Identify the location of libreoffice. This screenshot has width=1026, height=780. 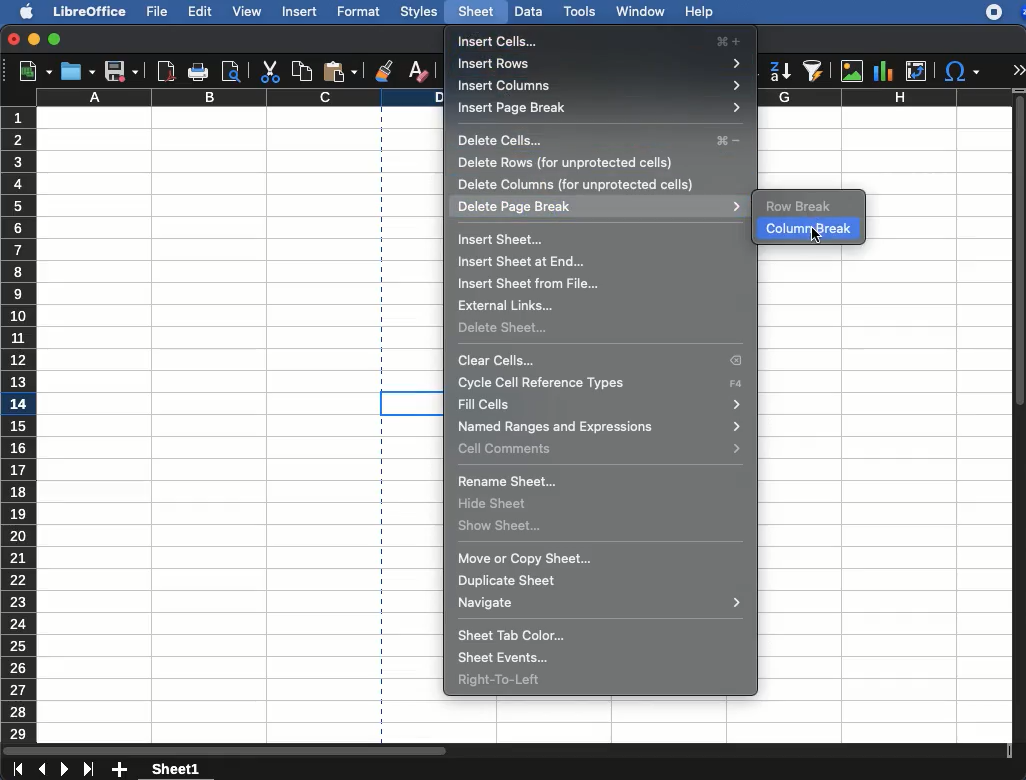
(90, 10).